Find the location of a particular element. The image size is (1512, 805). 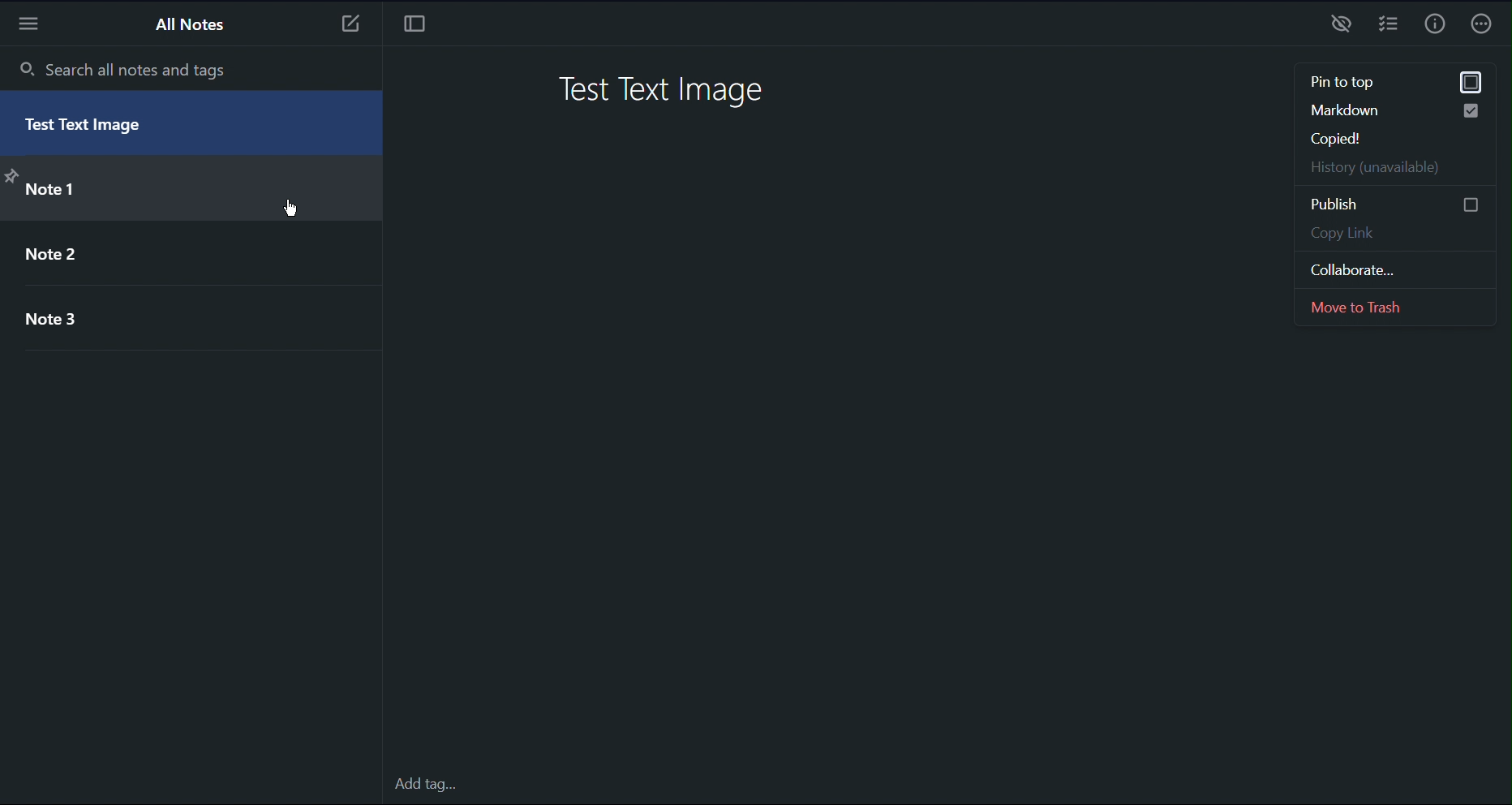

pin is located at coordinates (15, 173).